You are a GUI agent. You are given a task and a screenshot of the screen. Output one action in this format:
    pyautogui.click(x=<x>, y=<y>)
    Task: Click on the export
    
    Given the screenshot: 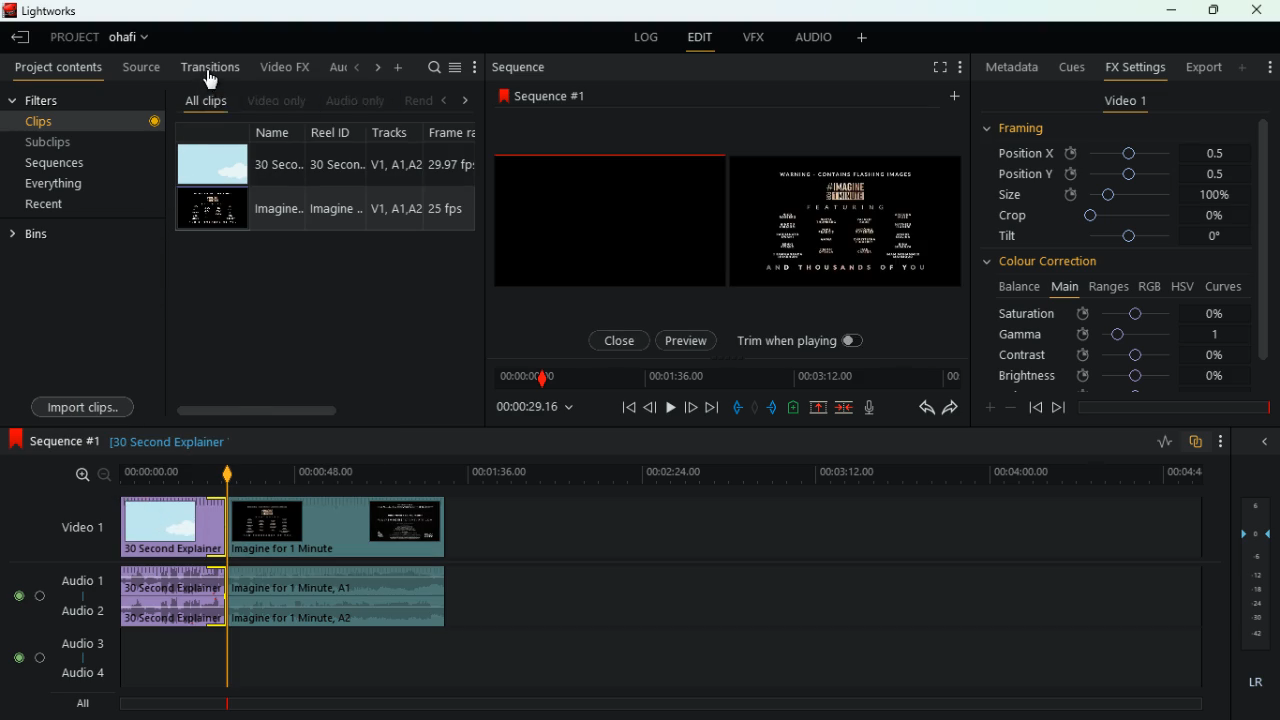 What is the action you would take?
    pyautogui.click(x=1202, y=68)
    